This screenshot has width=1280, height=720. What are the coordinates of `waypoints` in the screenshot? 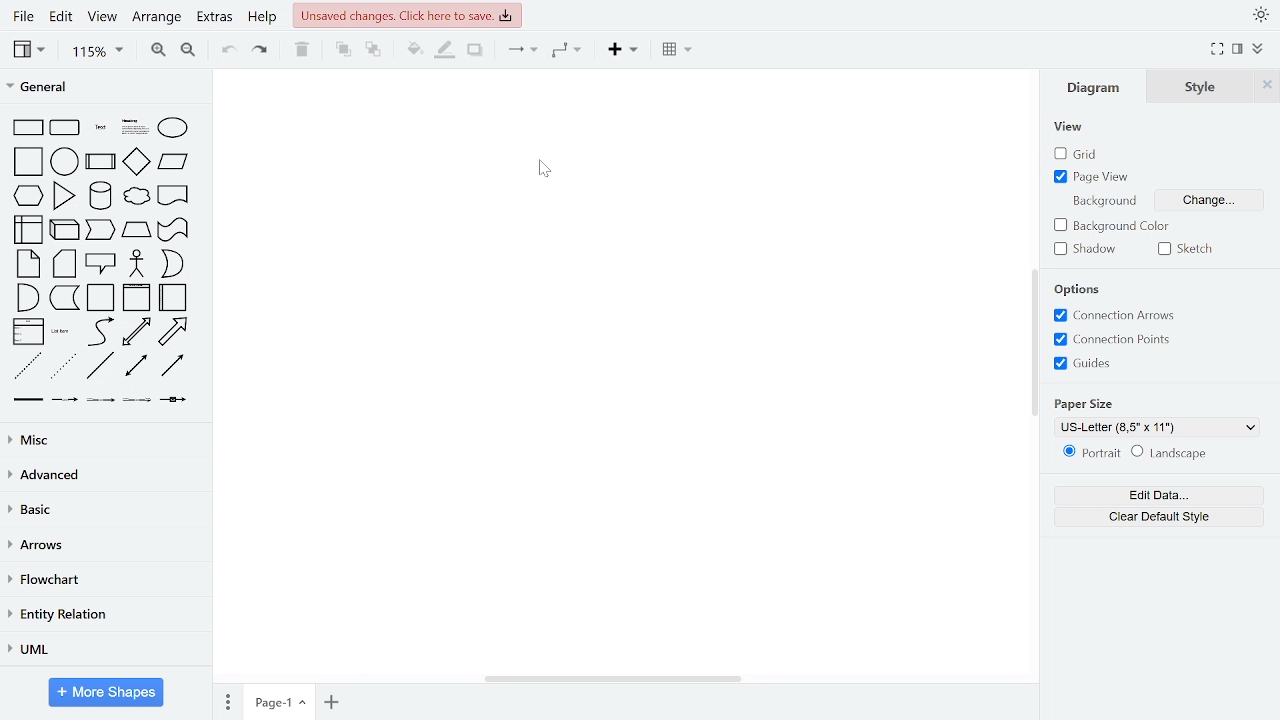 It's located at (567, 50).